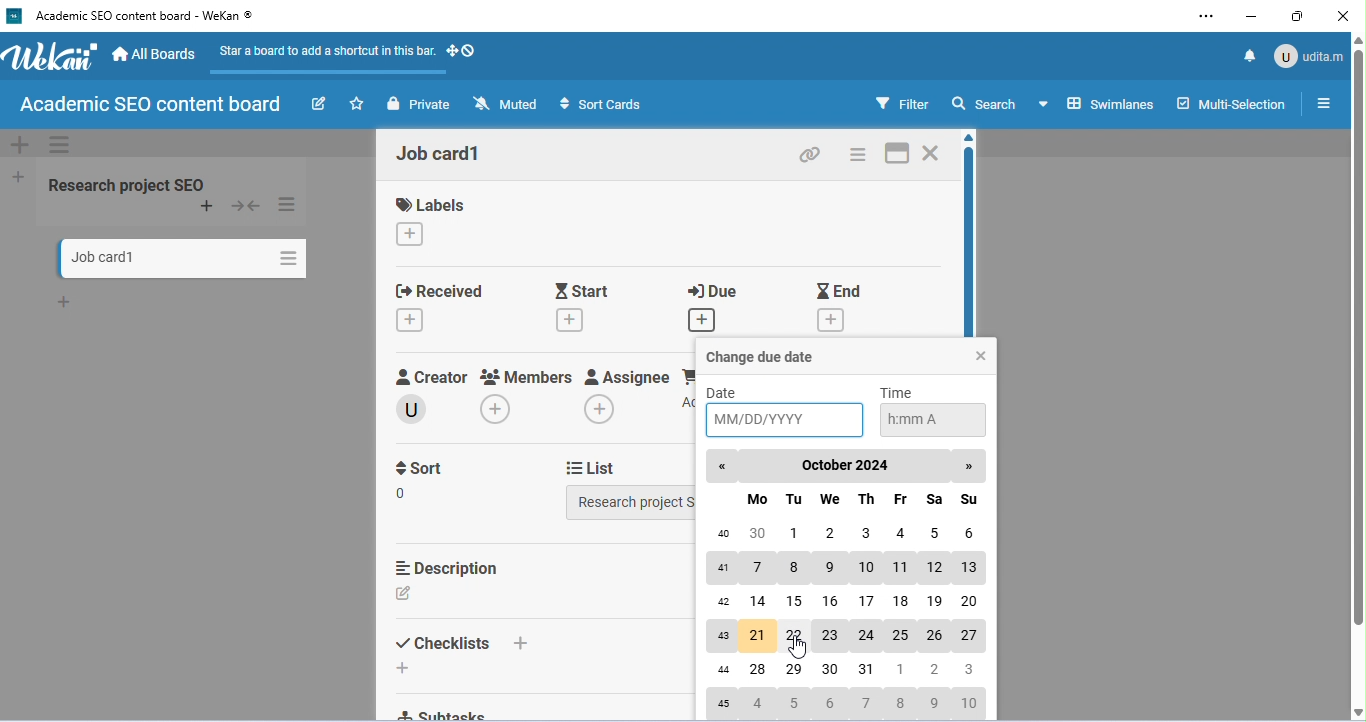 This screenshot has width=1366, height=722. Describe the element at coordinates (462, 50) in the screenshot. I see `show-desktop-drag-handles` at that location.